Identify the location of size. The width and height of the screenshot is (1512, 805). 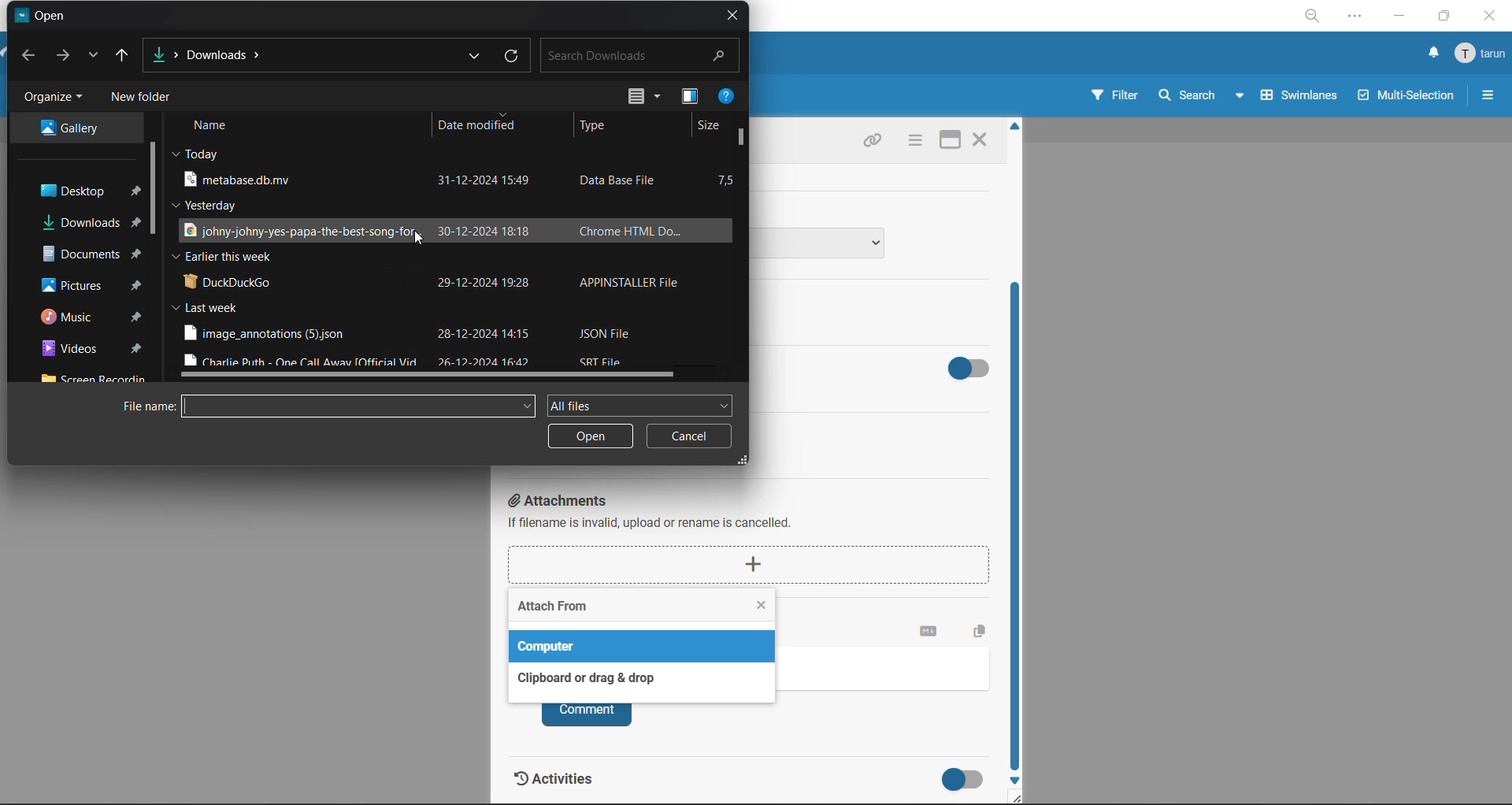
(710, 124).